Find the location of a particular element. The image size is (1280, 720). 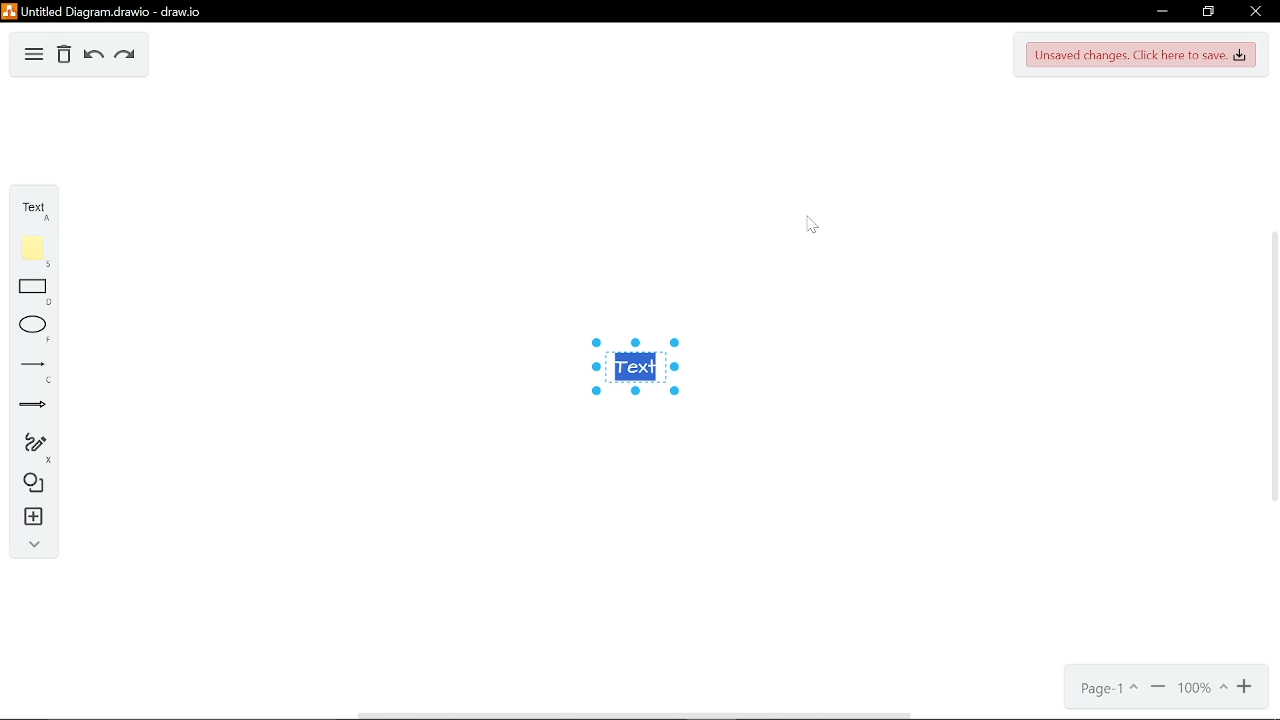

Text is located at coordinates (29, 204).